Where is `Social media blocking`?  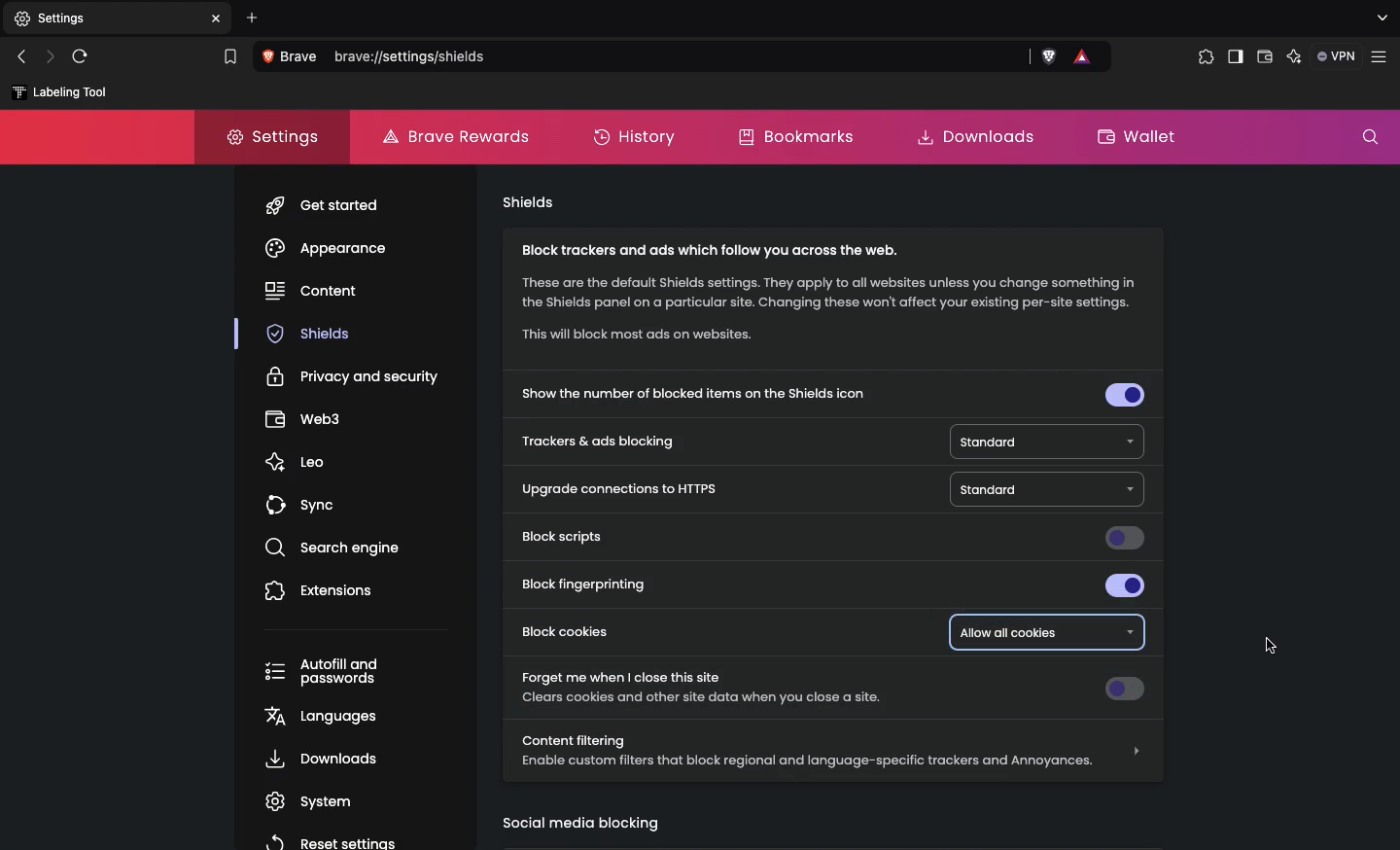 Social media blocking is located at coordinates (583, 825).